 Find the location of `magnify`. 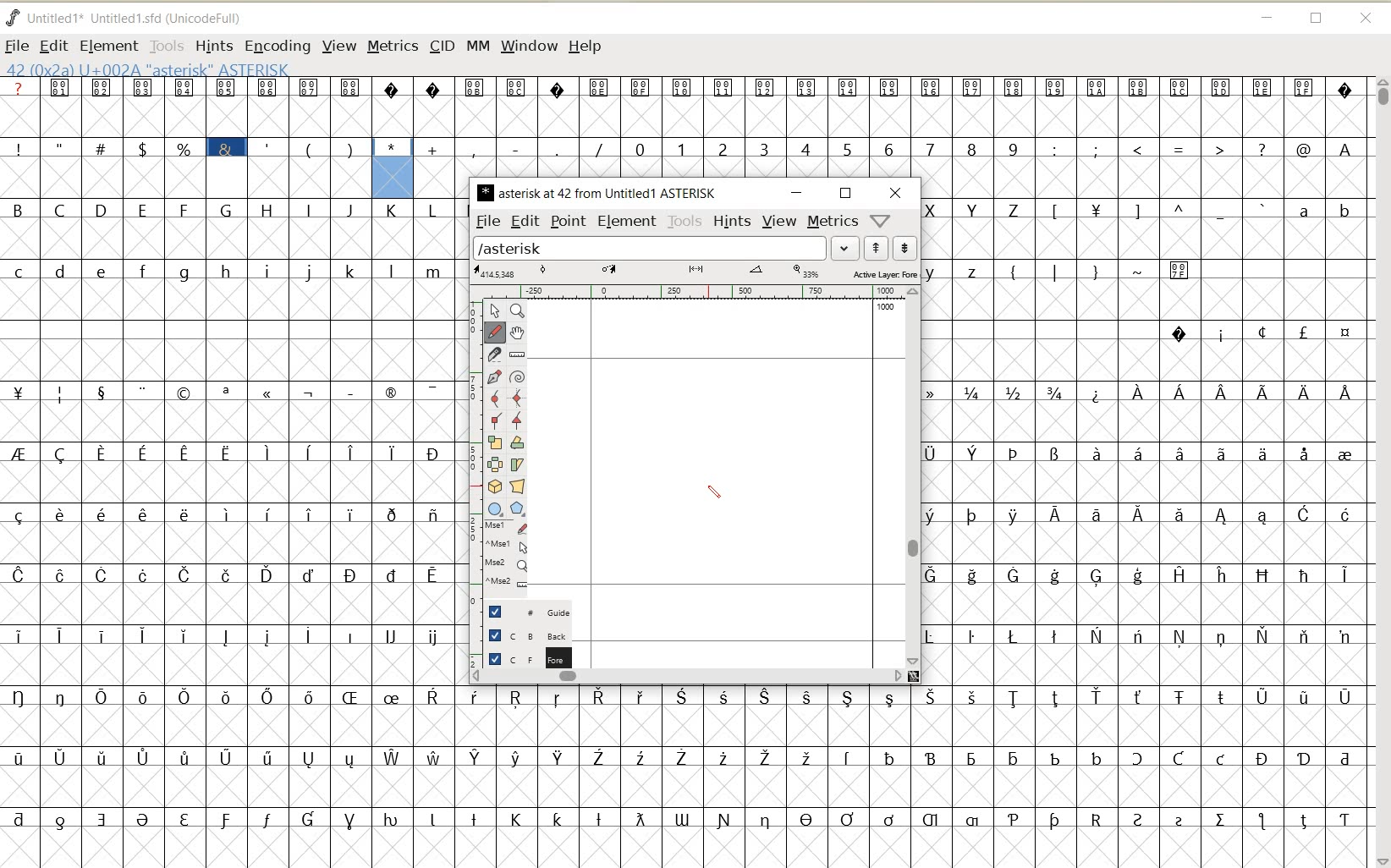

magnify is located at coordinates (518, 312).